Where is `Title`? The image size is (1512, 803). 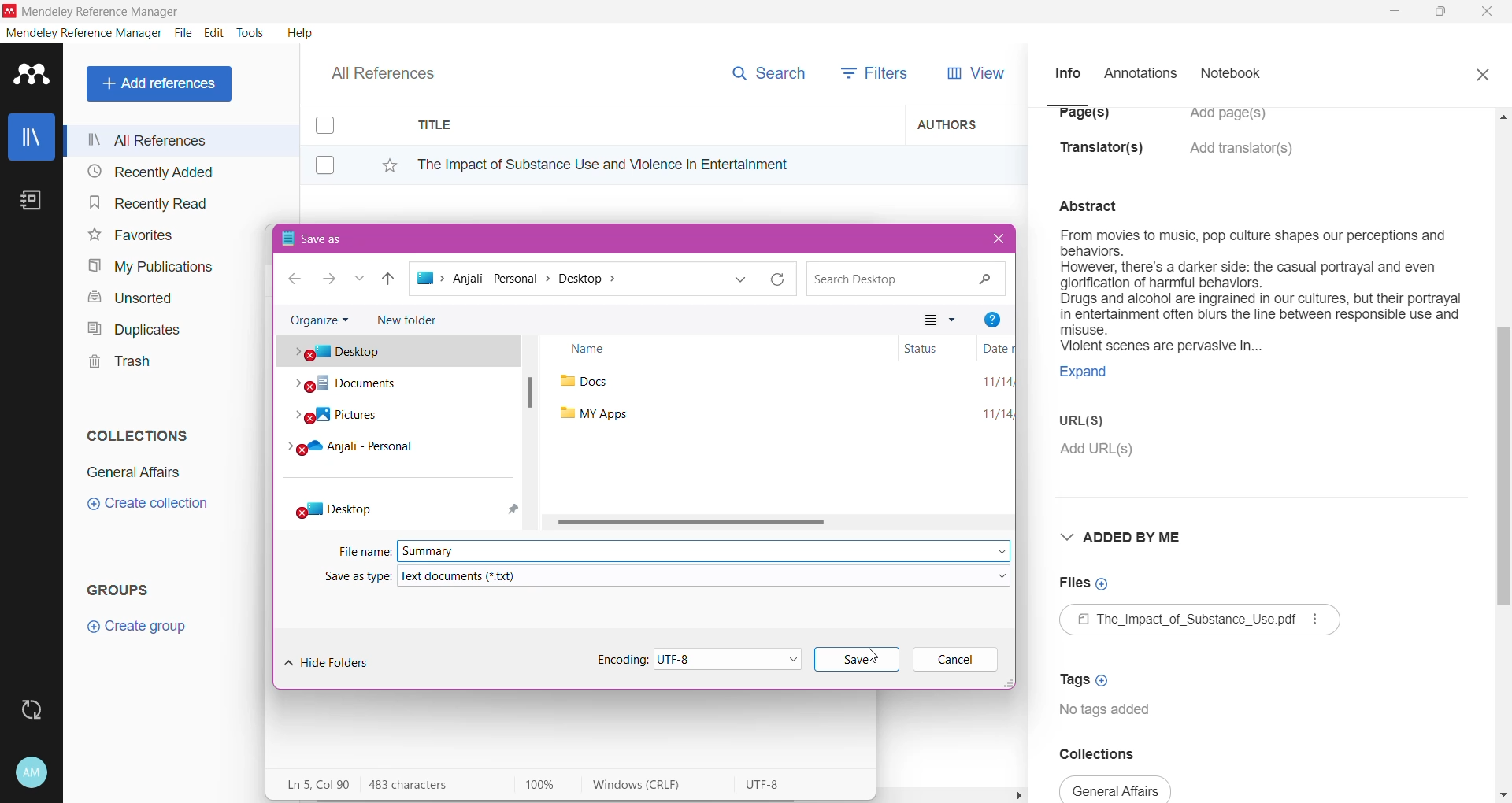 Title is located at coordinates (654, 125).